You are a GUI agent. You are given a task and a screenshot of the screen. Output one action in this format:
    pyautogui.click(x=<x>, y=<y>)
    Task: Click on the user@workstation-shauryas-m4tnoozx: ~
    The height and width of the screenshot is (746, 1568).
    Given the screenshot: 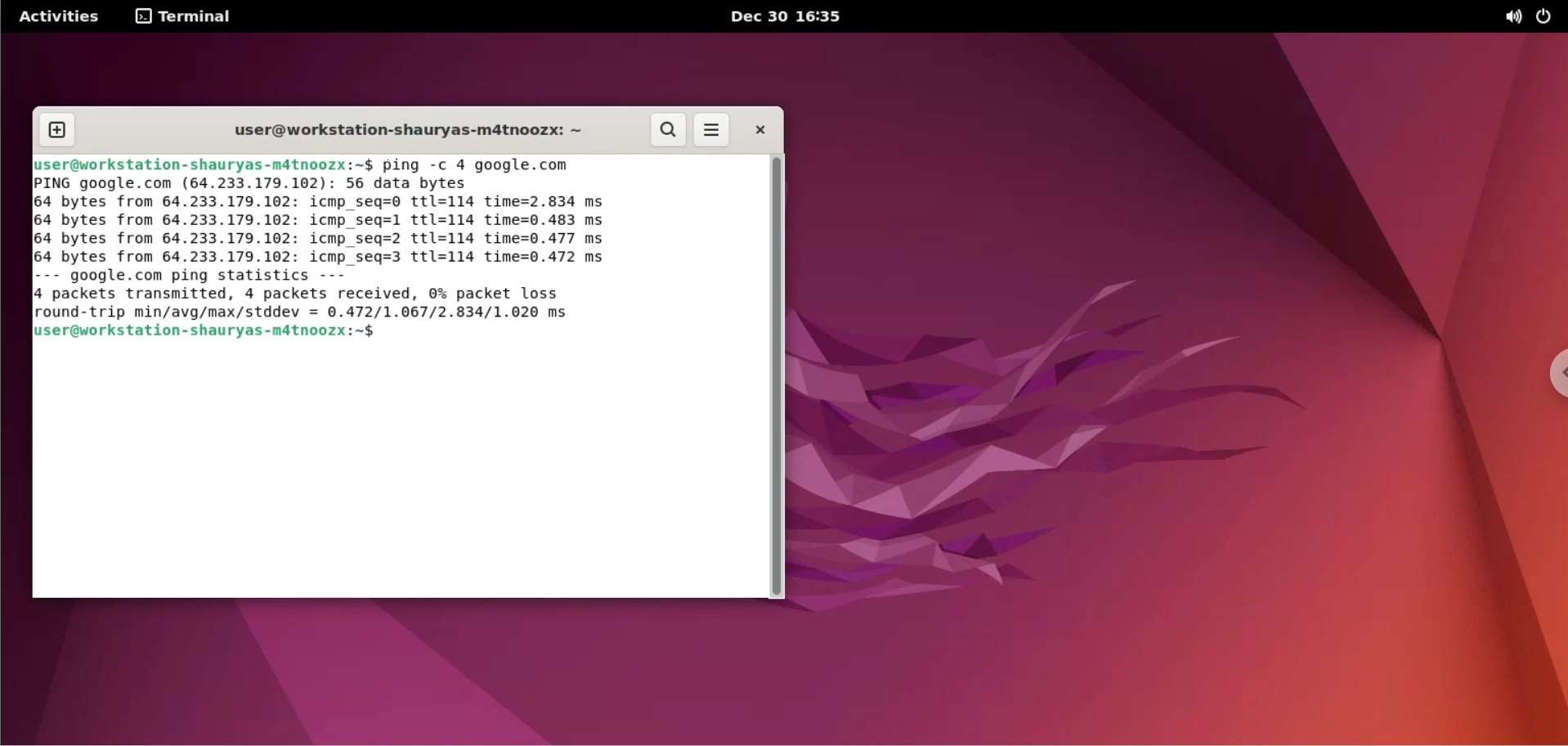 What is the action you would take?
    pyautogui.click(x=410, y=131)
    